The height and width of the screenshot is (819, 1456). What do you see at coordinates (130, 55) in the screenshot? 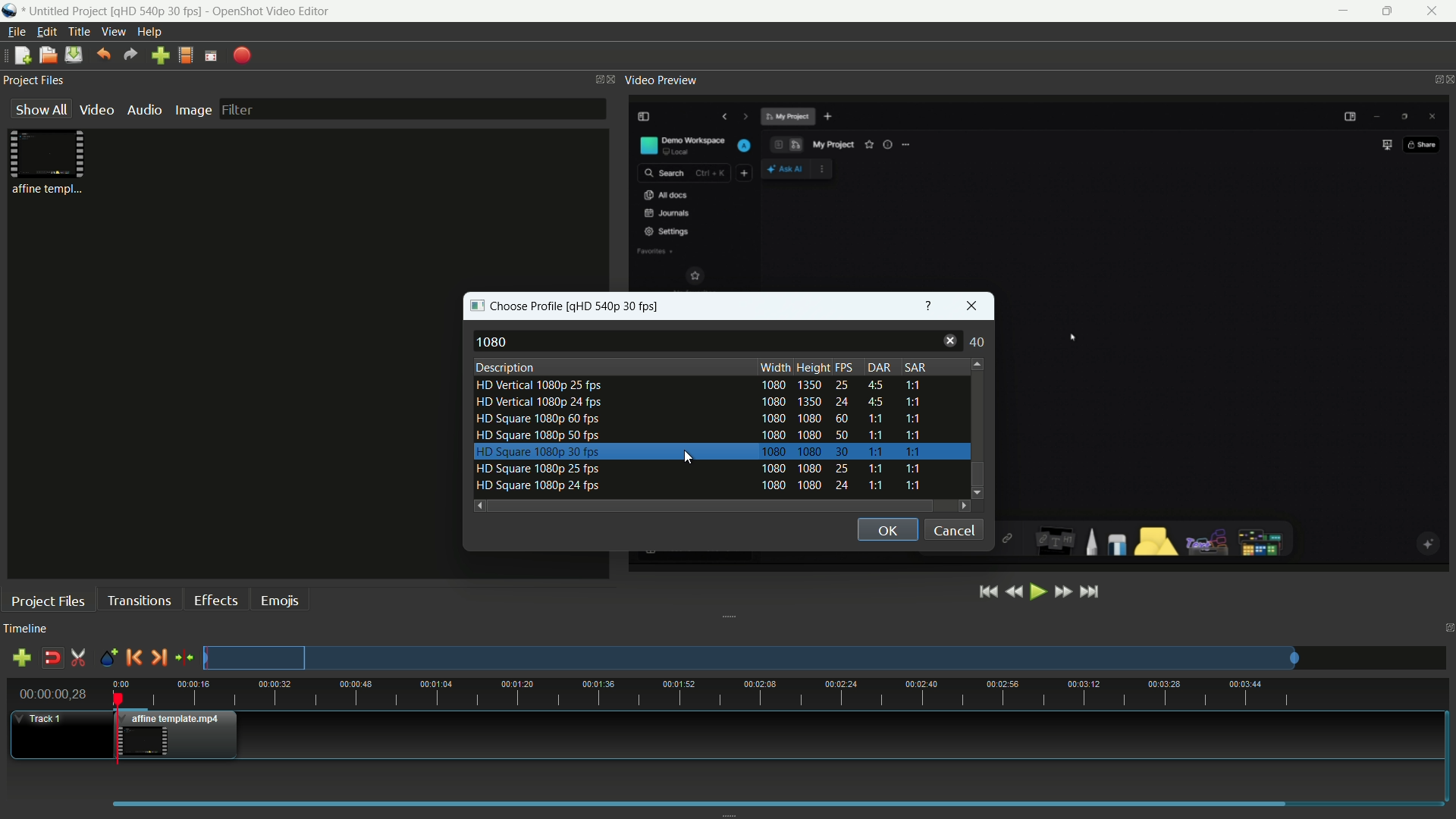
I see `redo` at bounding box center [130, 55].